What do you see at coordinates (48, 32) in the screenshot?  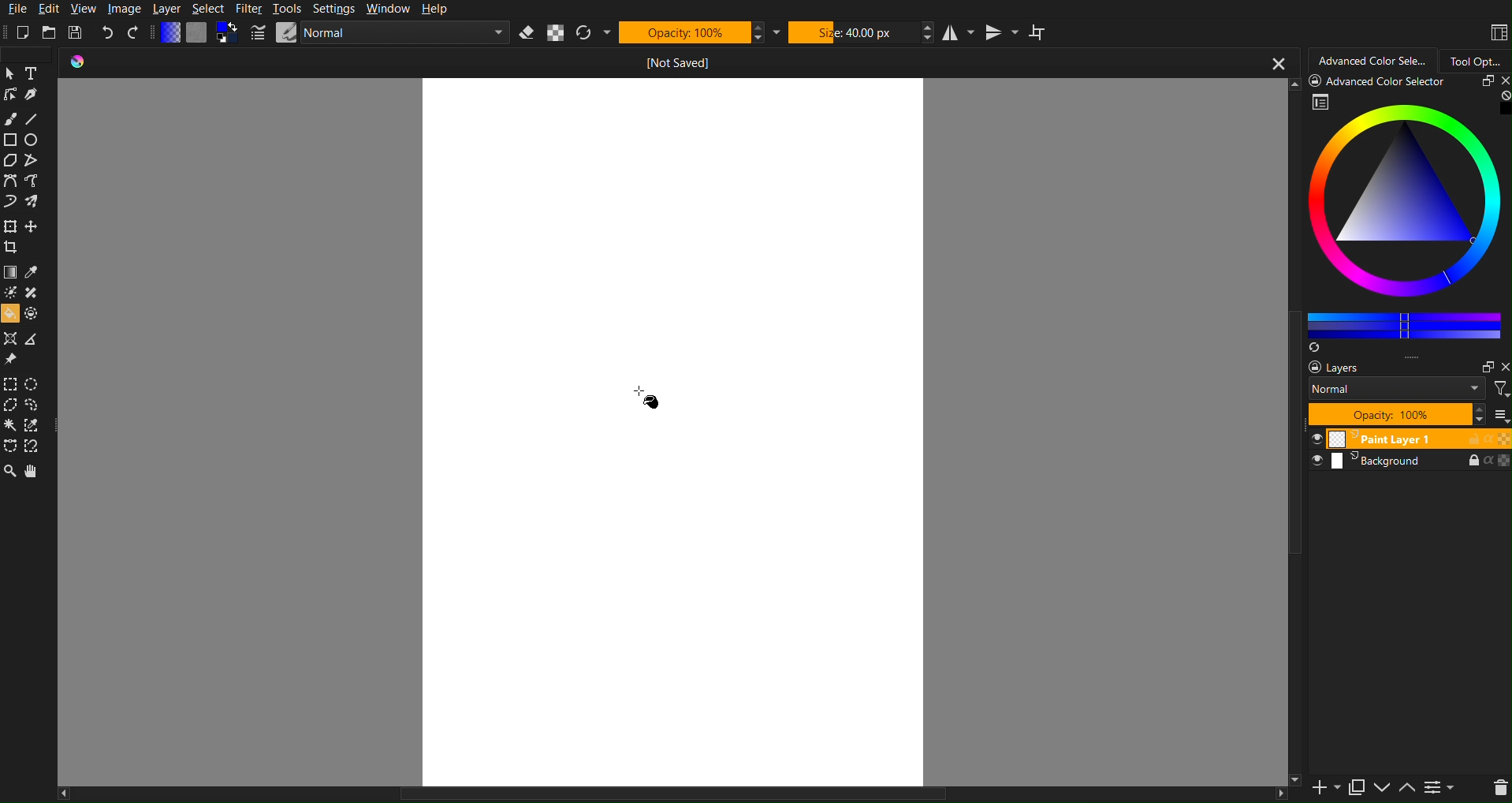 I see `Open` at bounding box center [48, 32].